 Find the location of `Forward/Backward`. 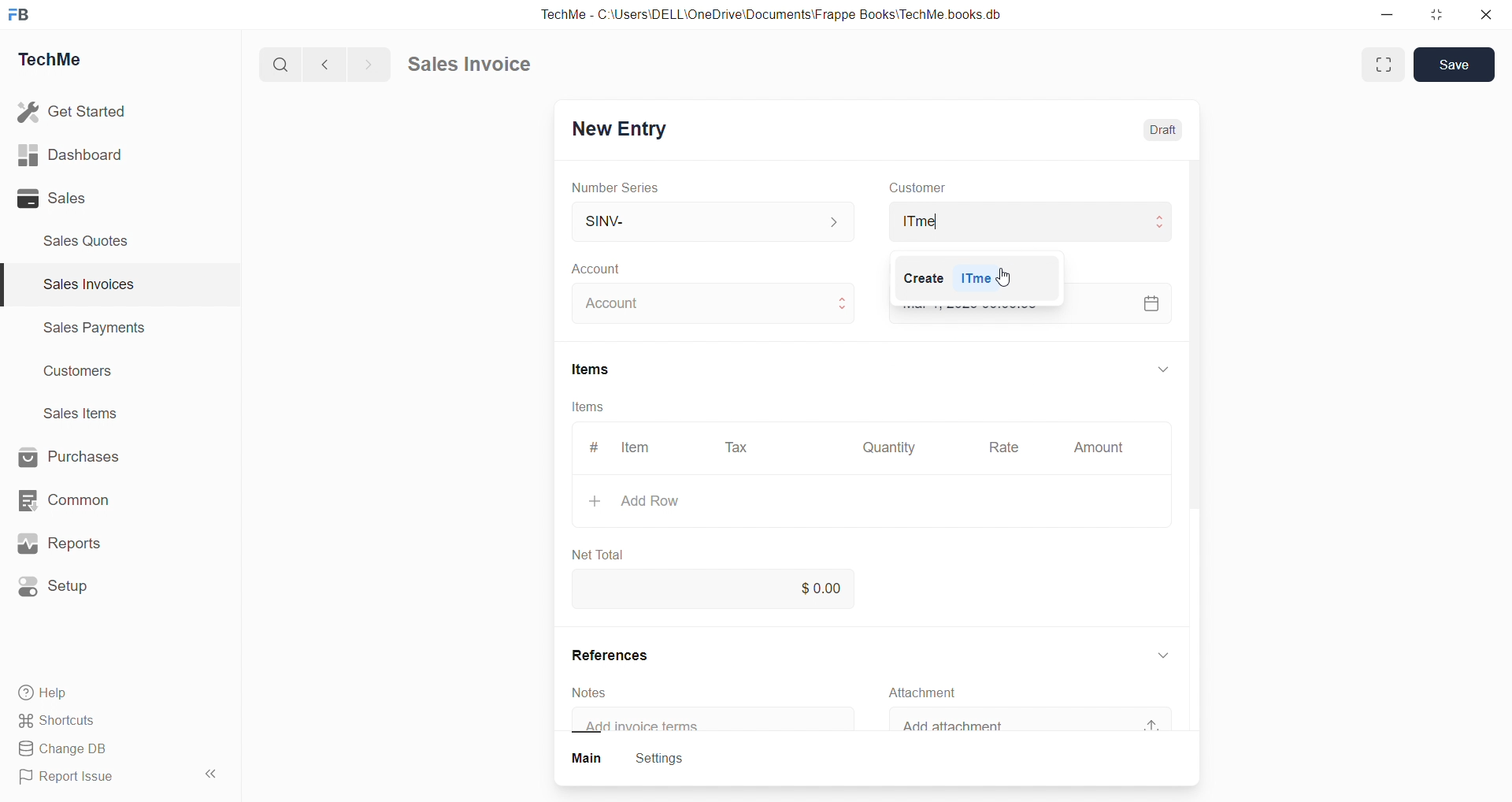

Forward/Backward is located at coordinates (348, 63).